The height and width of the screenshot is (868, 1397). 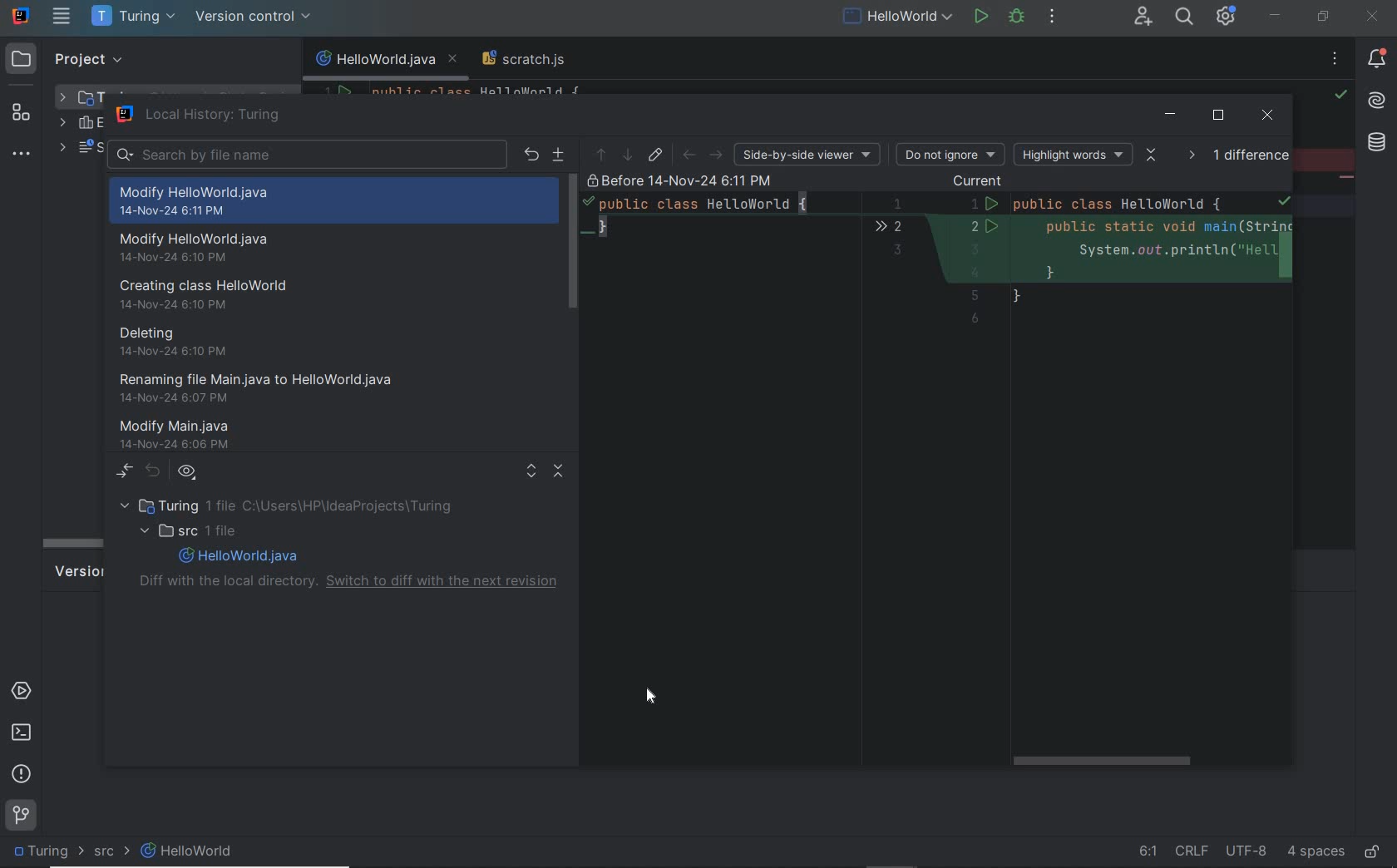 I want to click on create path, so click(x=560, y=155).